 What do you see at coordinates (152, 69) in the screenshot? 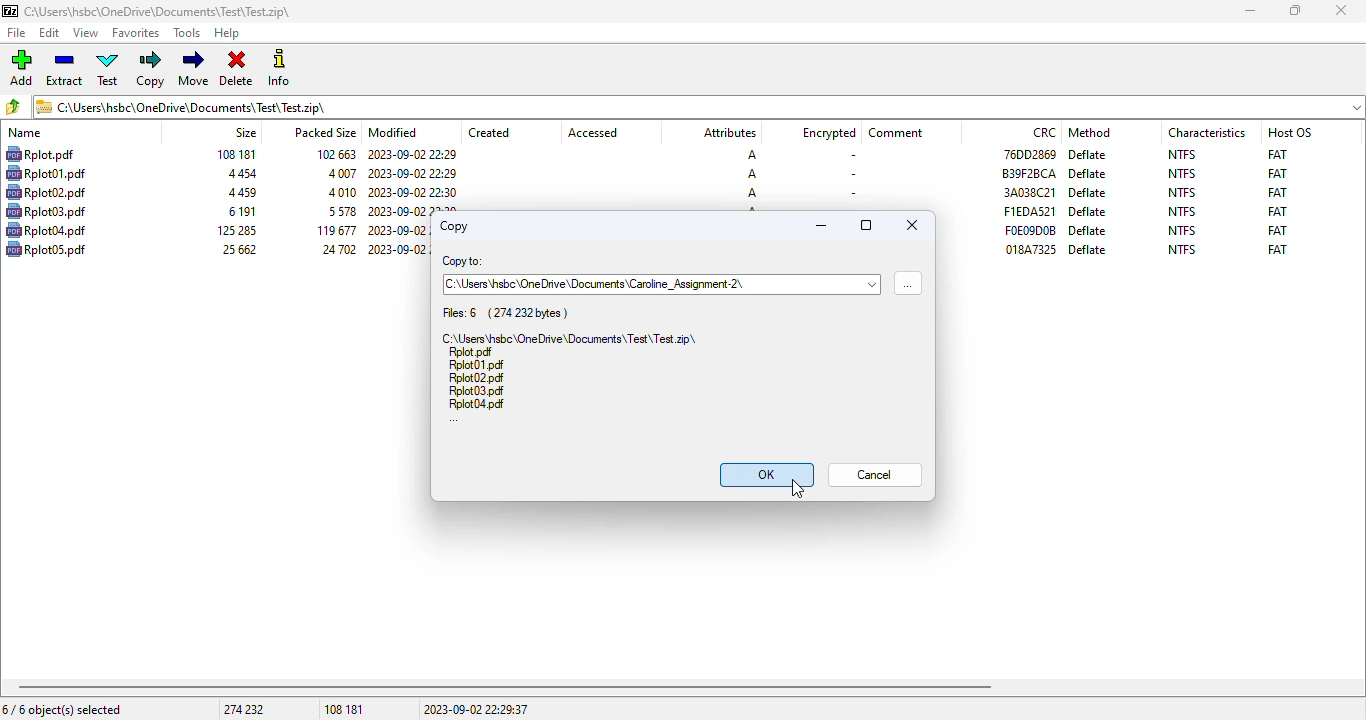
I see `copy` at bounding box center [152, 69].